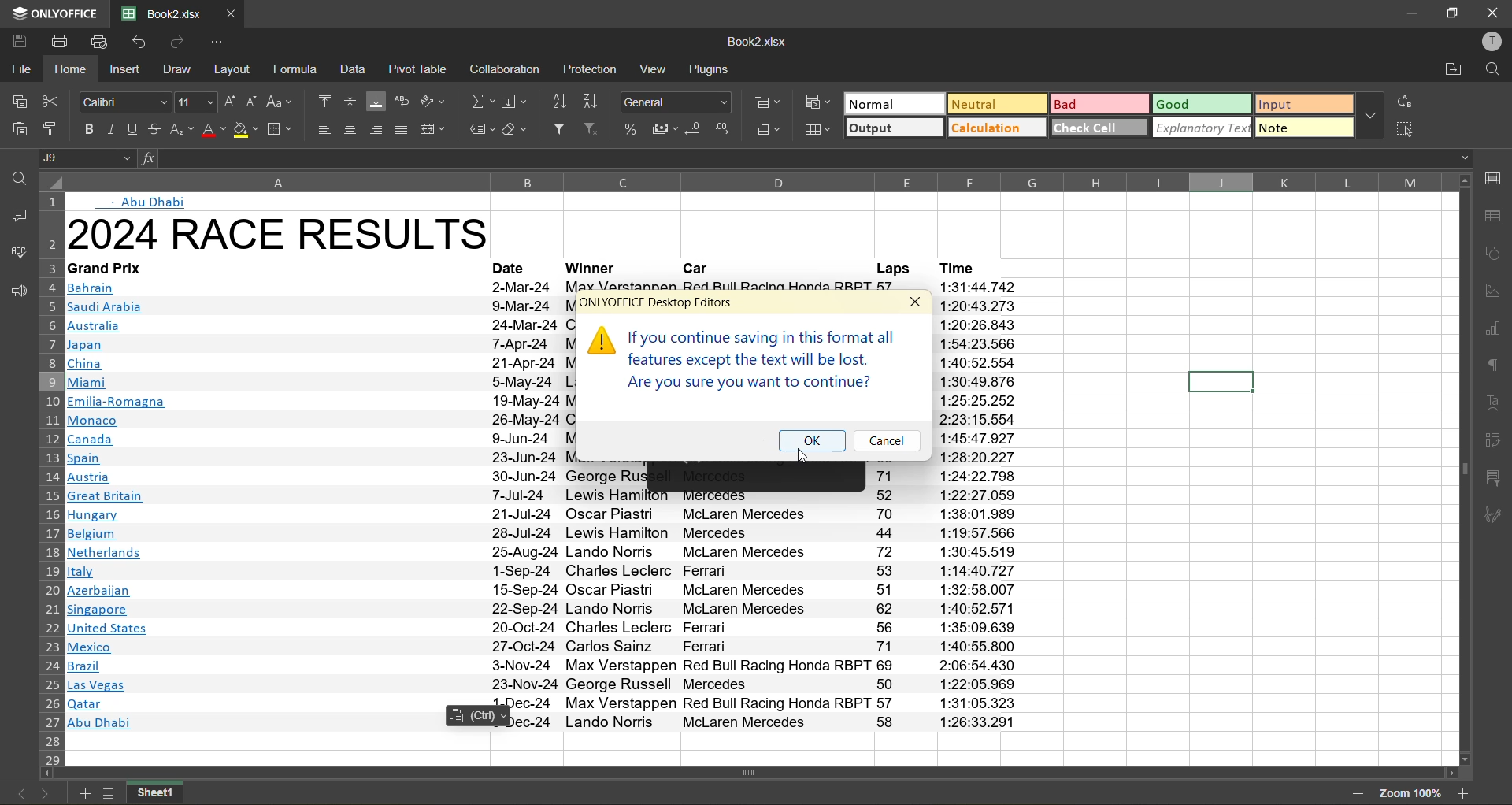 This screenshot has height=805, width=1512. Describe the element at coordinates (1466, 794) in the screenshot. I see `zoom in` at that location.